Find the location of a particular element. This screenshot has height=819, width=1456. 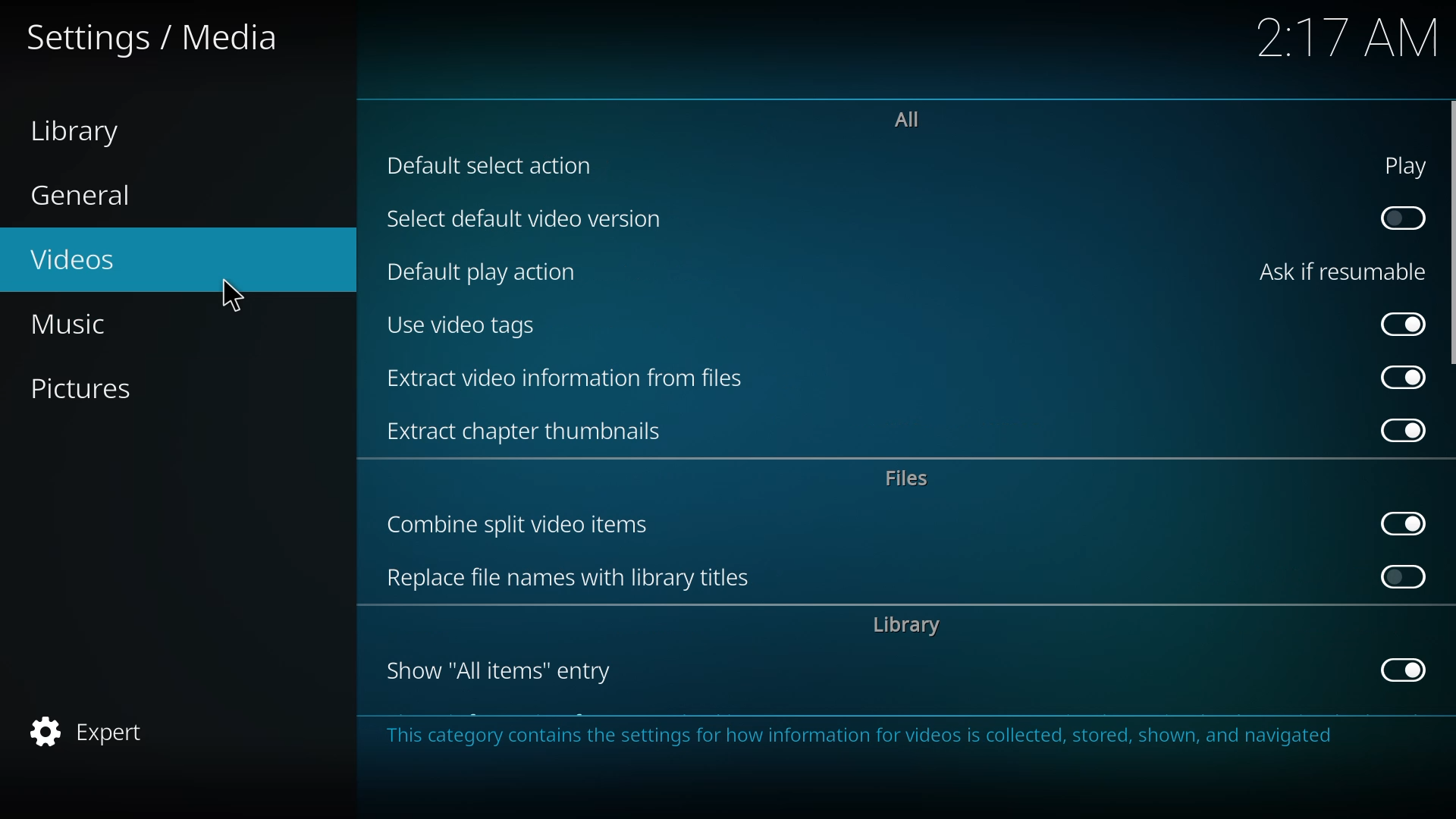

enabled is located at coordinates (1400, 431).